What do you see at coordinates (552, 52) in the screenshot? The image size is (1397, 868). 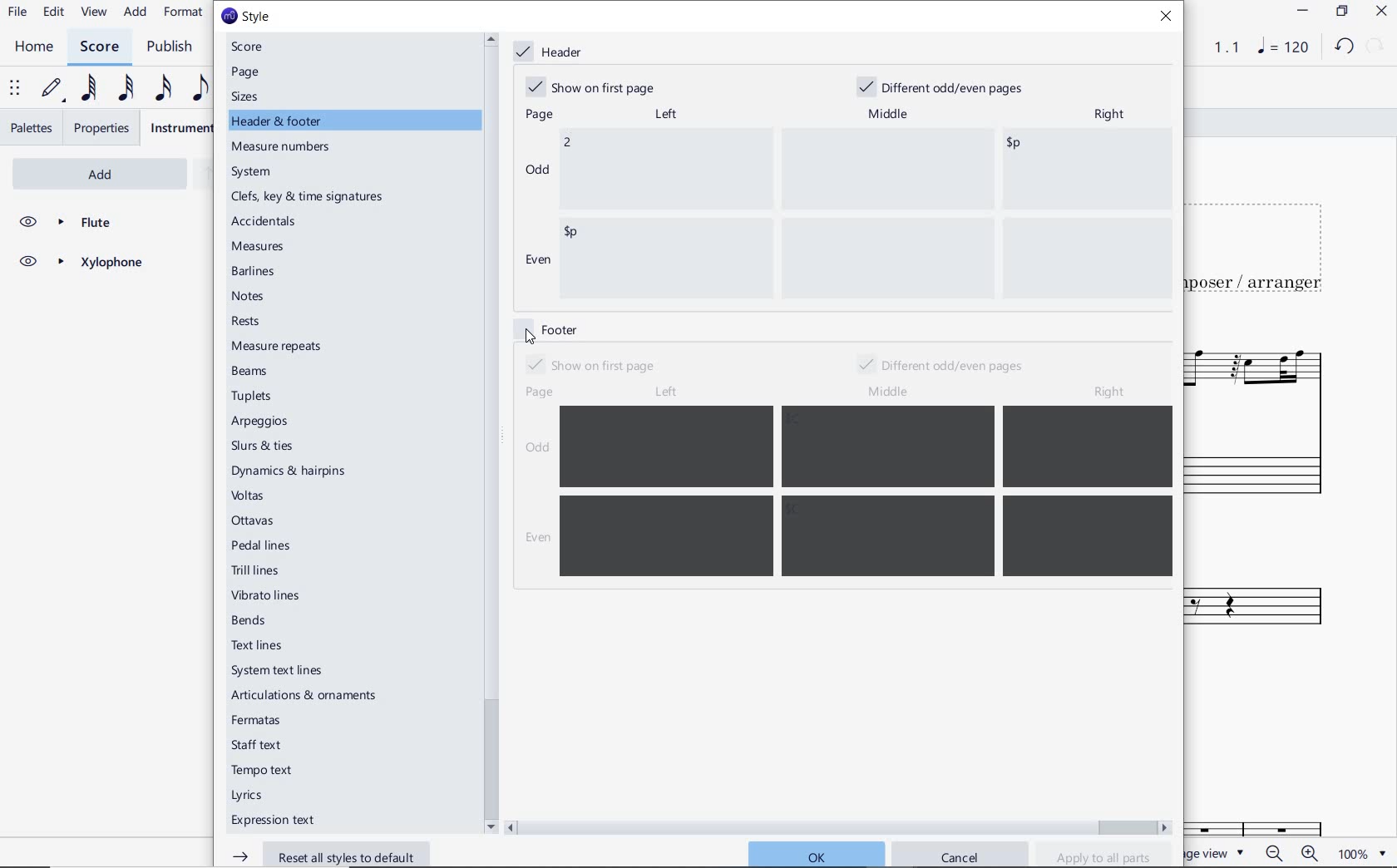 I see `header marked` at bounding box center [552, 52].